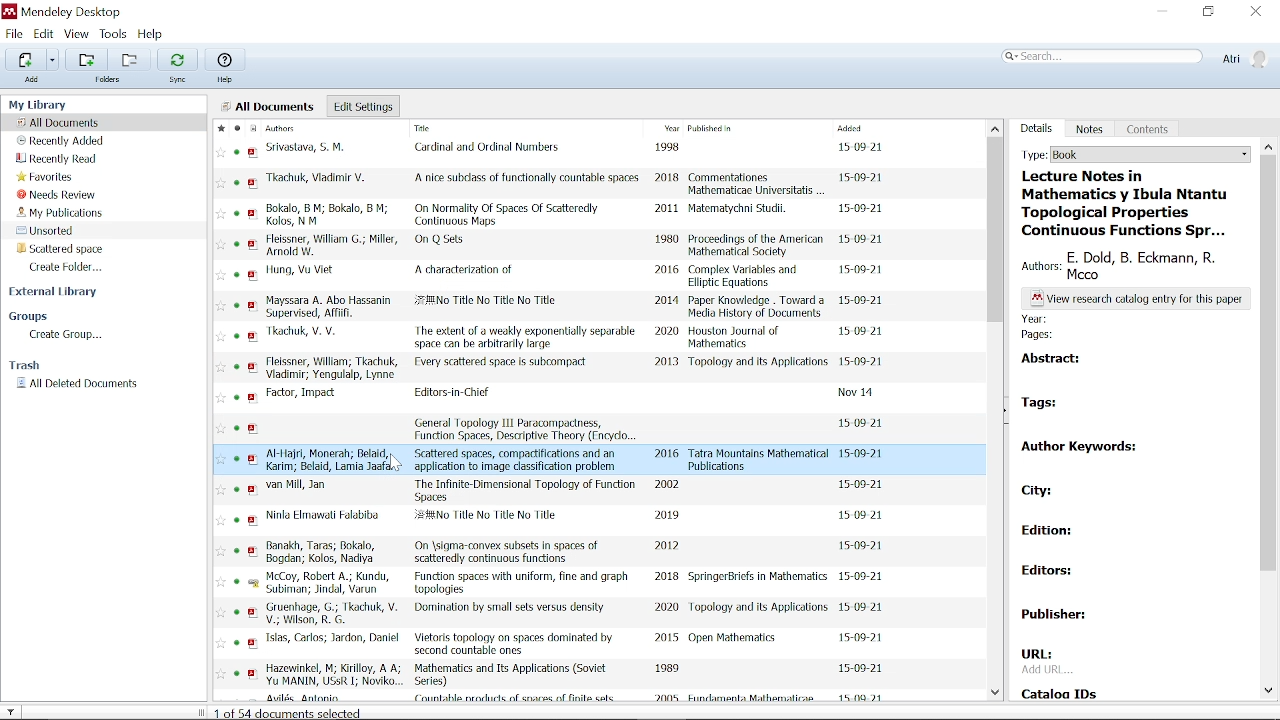  What do you see at coordinates (862, 485) in the screenshot?
I see `date` at bounding box center [862, 485].